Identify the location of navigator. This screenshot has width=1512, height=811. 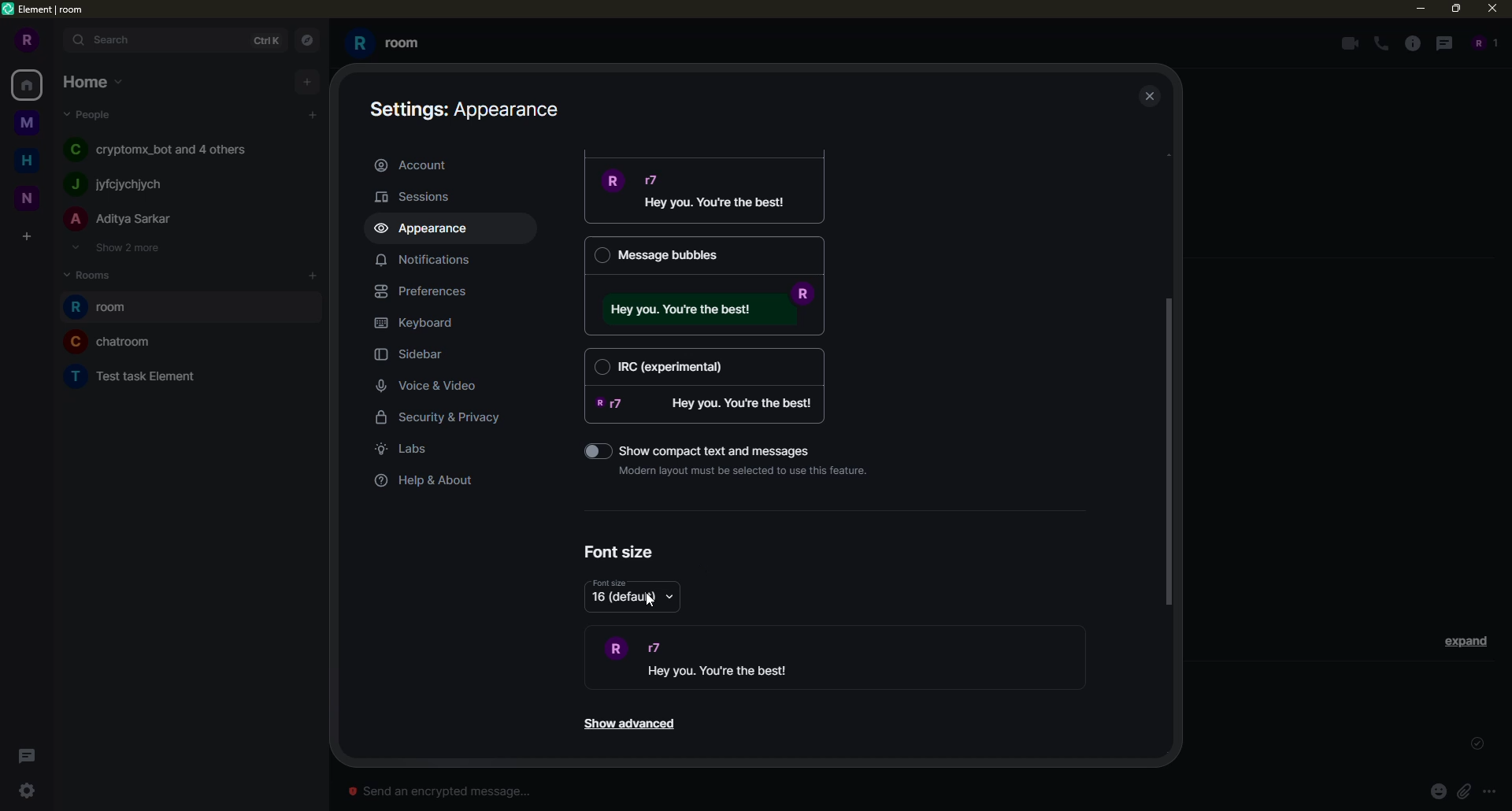
(306, 41).